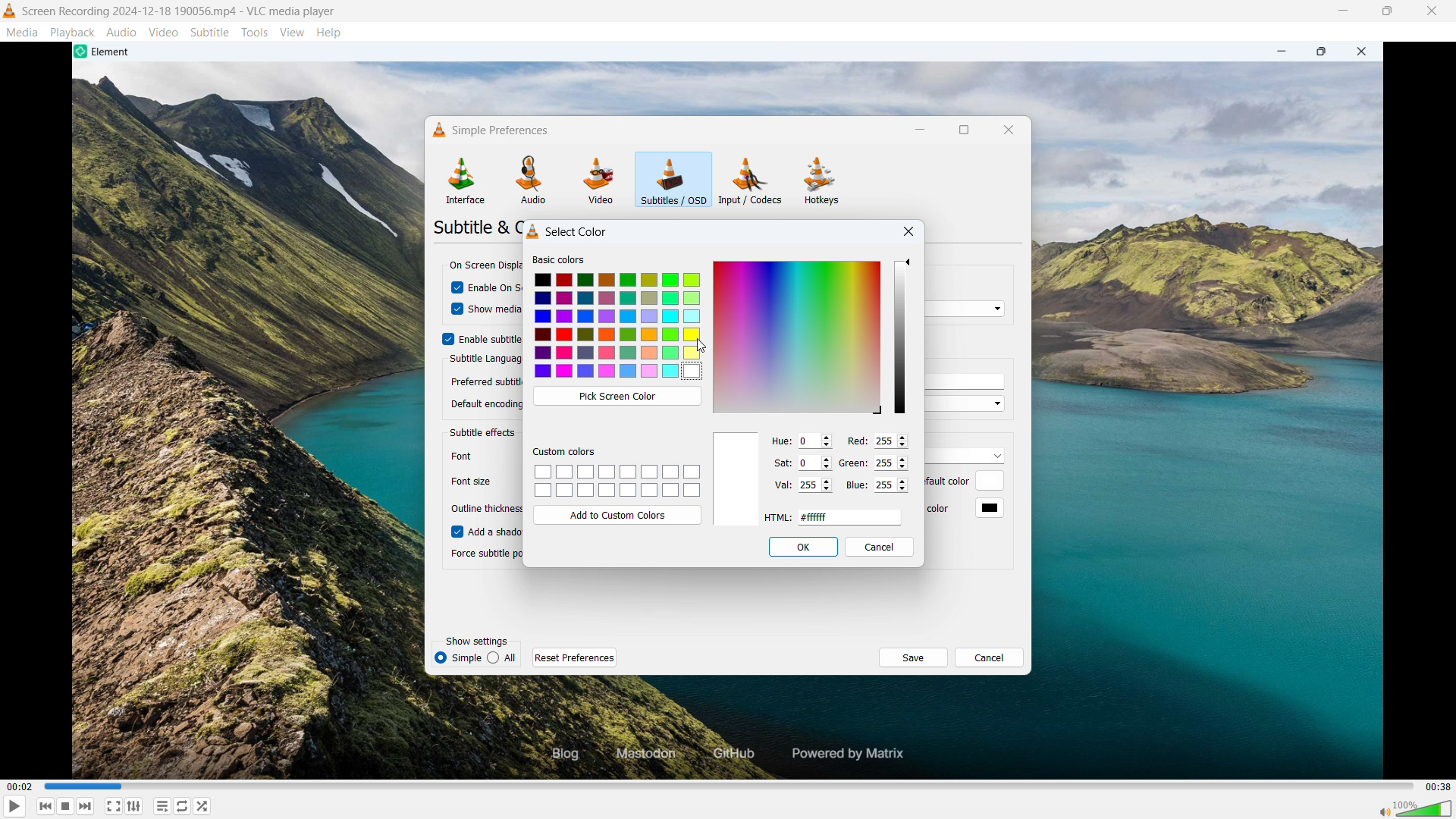  What do you see at coordinates (1432, 11) in the screenshot?
I see `Close ` at bounding box center [1432, 11].